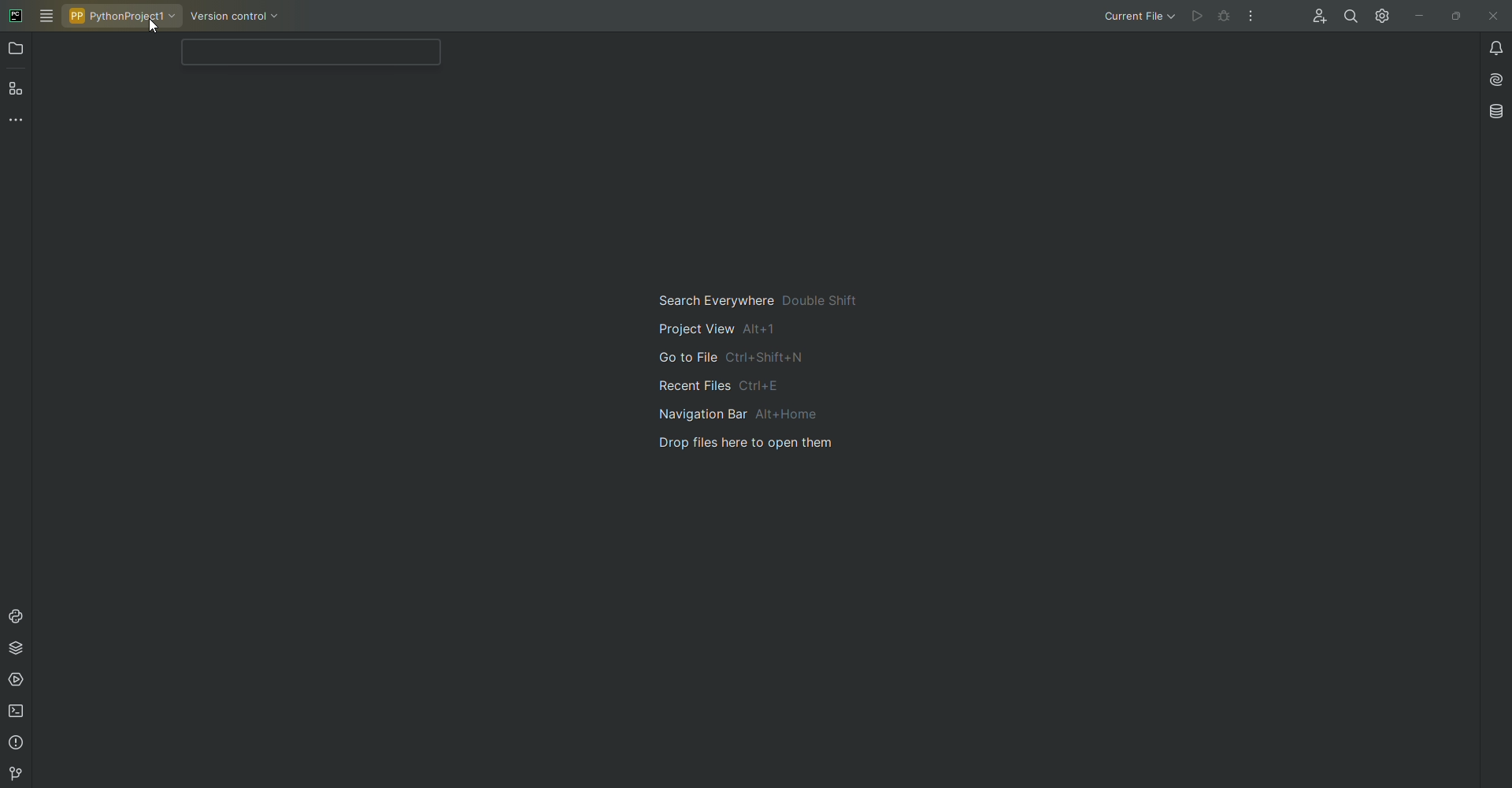 The width and height of the screenshot is (1512, 788). What do you see at coordinates (1497, 111) in the screenshot?
I see `Database` at bounding box center [1497, 111].